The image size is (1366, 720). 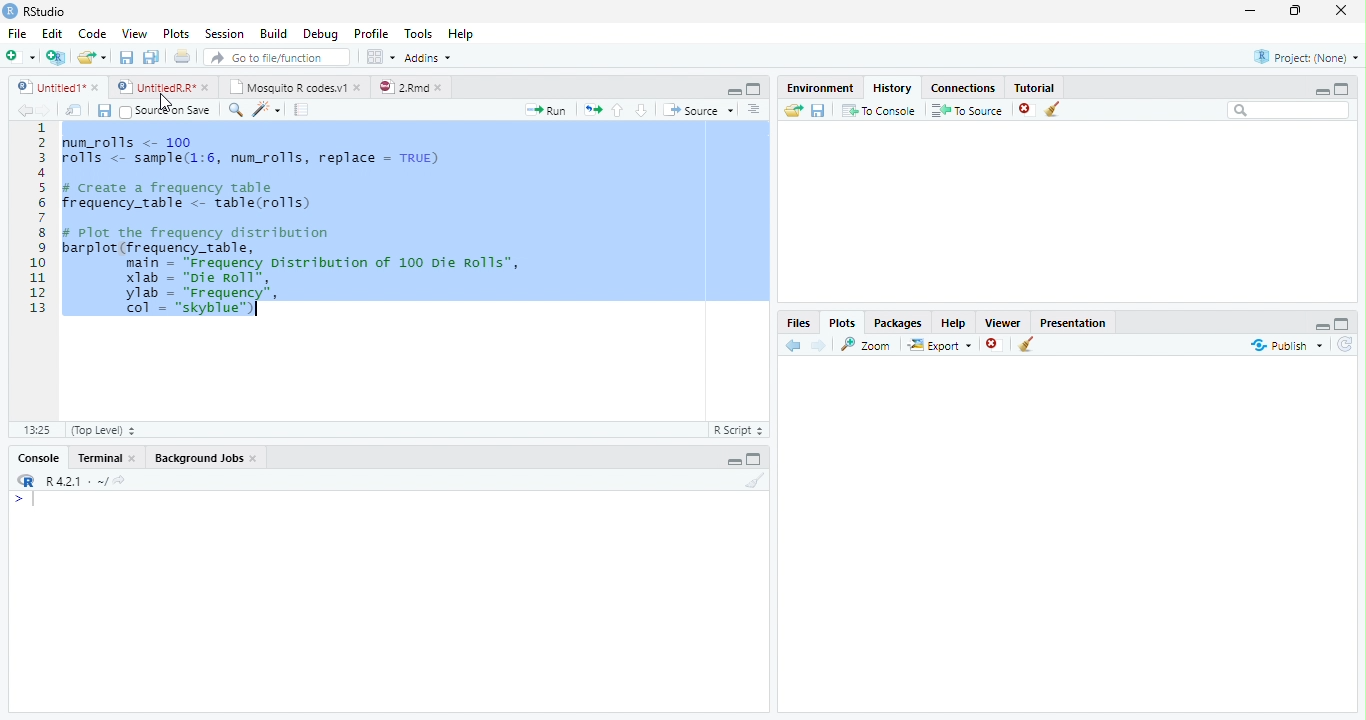 What do you see at coordinates (165, 103) in the screenshot?
I see `Mouse Cursor` at bounding box center [165, 103].